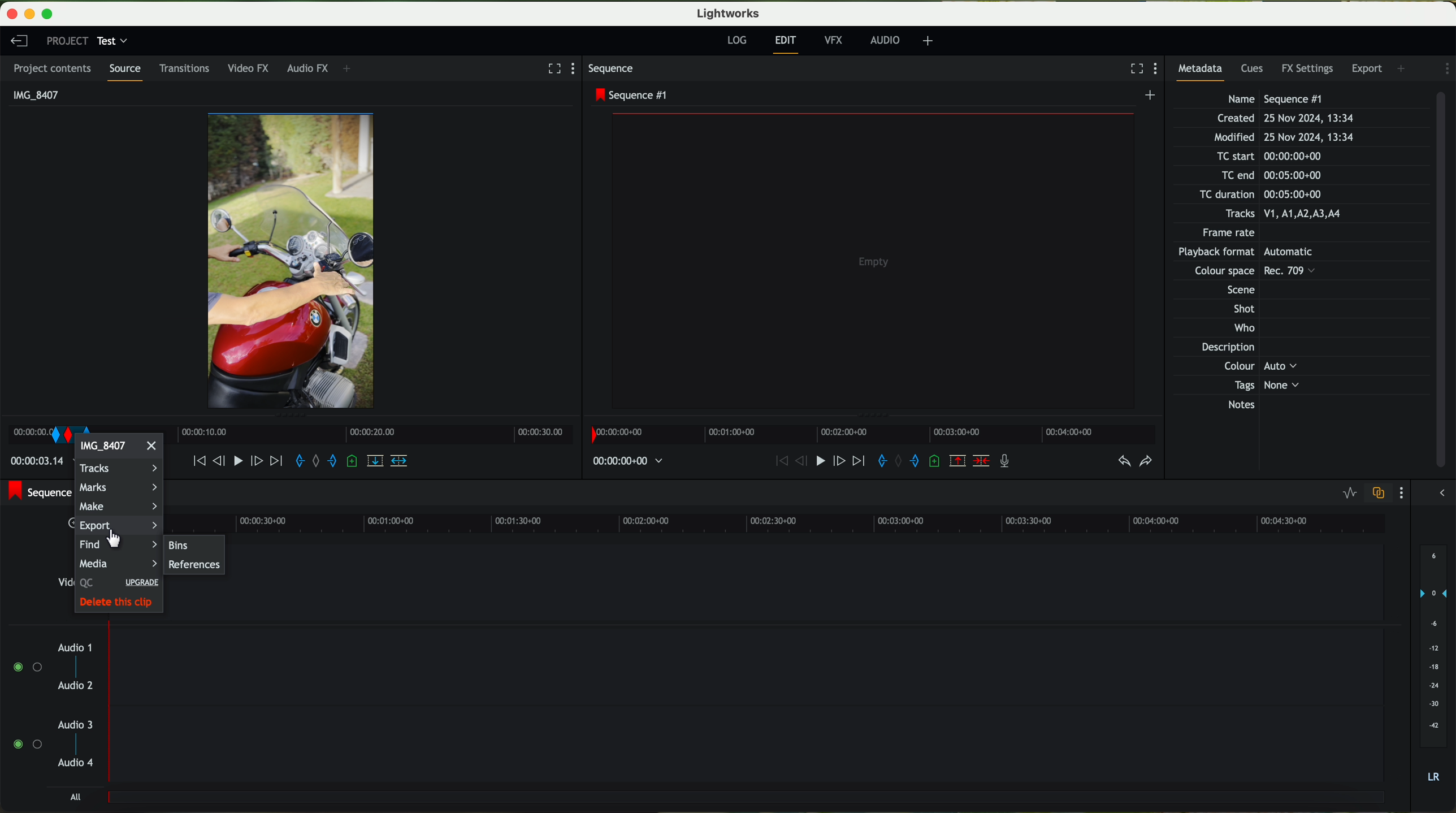 The width and height of the screenshot is (1456, 813). I want to click on add an in mark, so click(877, 461).